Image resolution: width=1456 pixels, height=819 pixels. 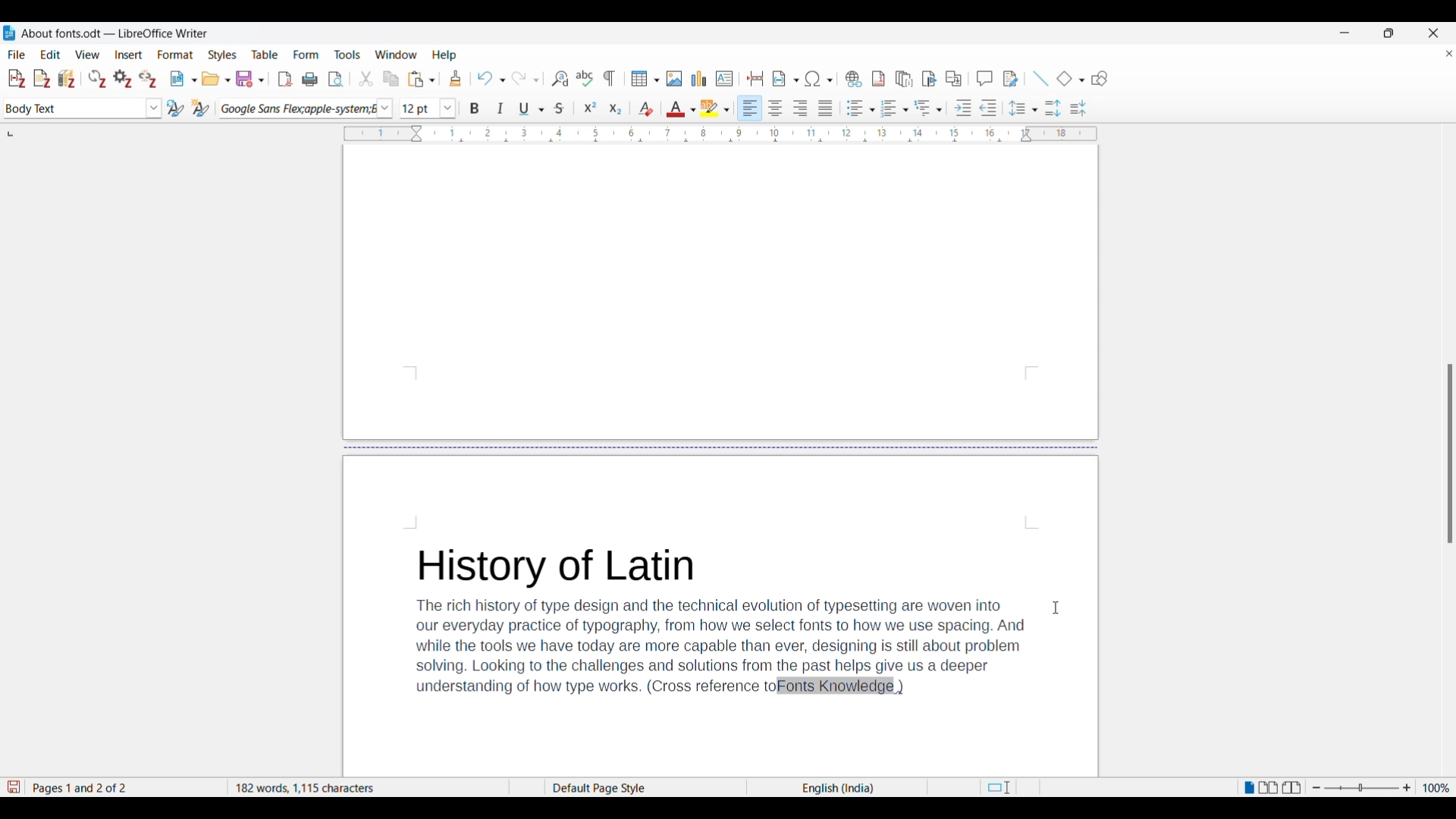 What do you see at coordinates (296, 108) in the screenshot?
I see `Current font` at bounding box center [296, 108].